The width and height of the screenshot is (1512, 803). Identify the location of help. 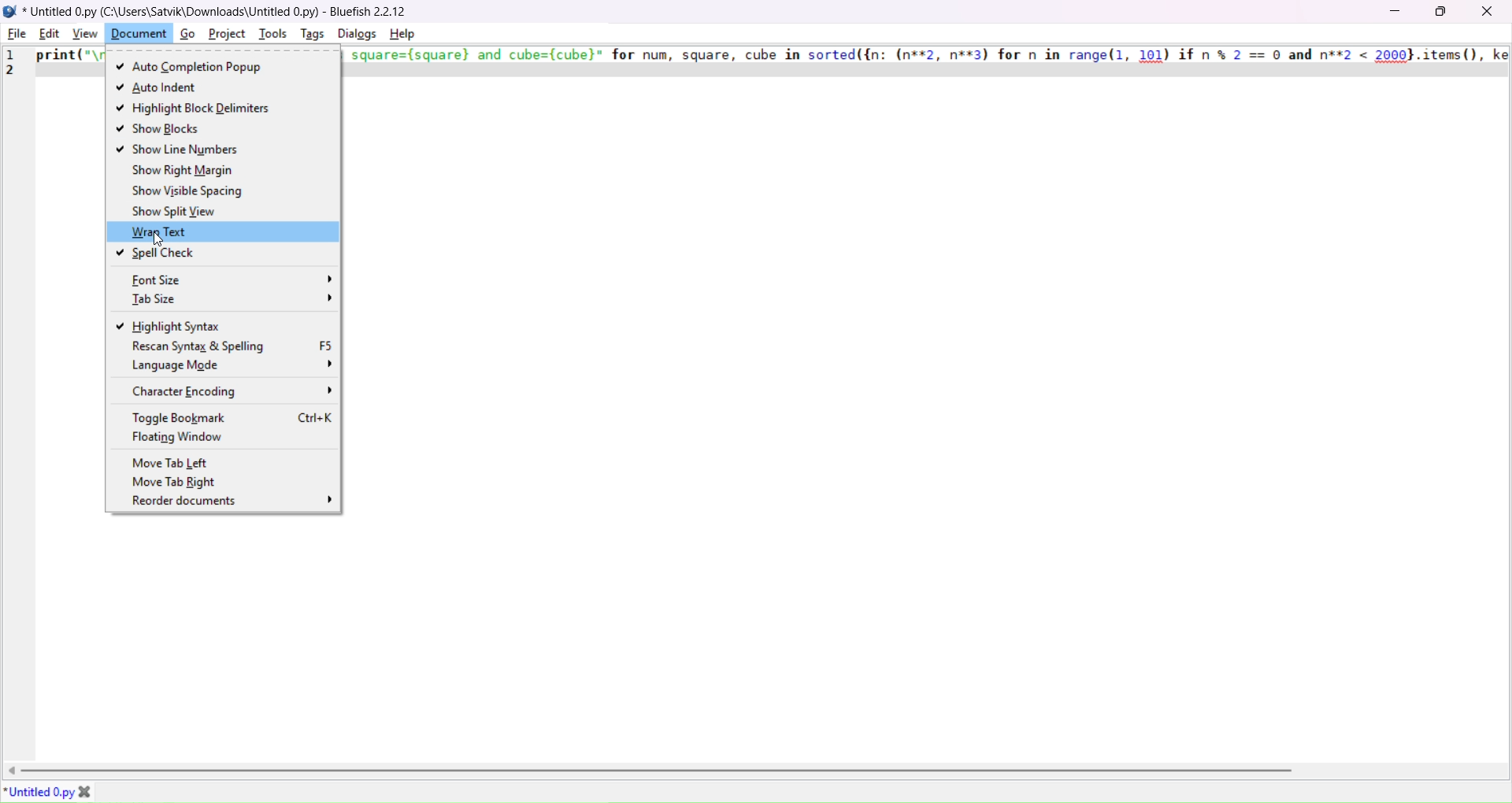
(404, 35).